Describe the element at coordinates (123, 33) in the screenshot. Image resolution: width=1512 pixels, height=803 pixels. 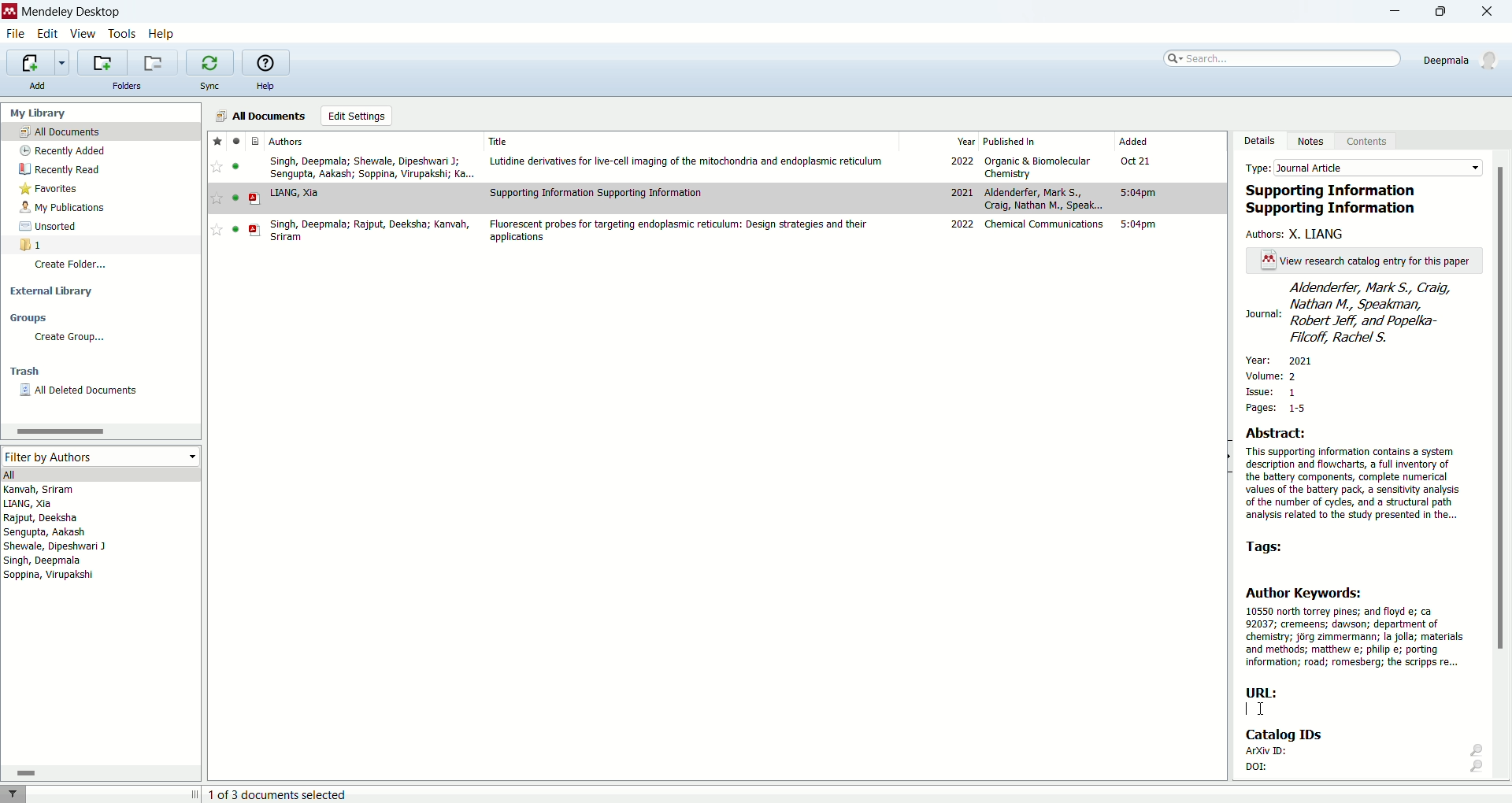
I see `tools` at that location.